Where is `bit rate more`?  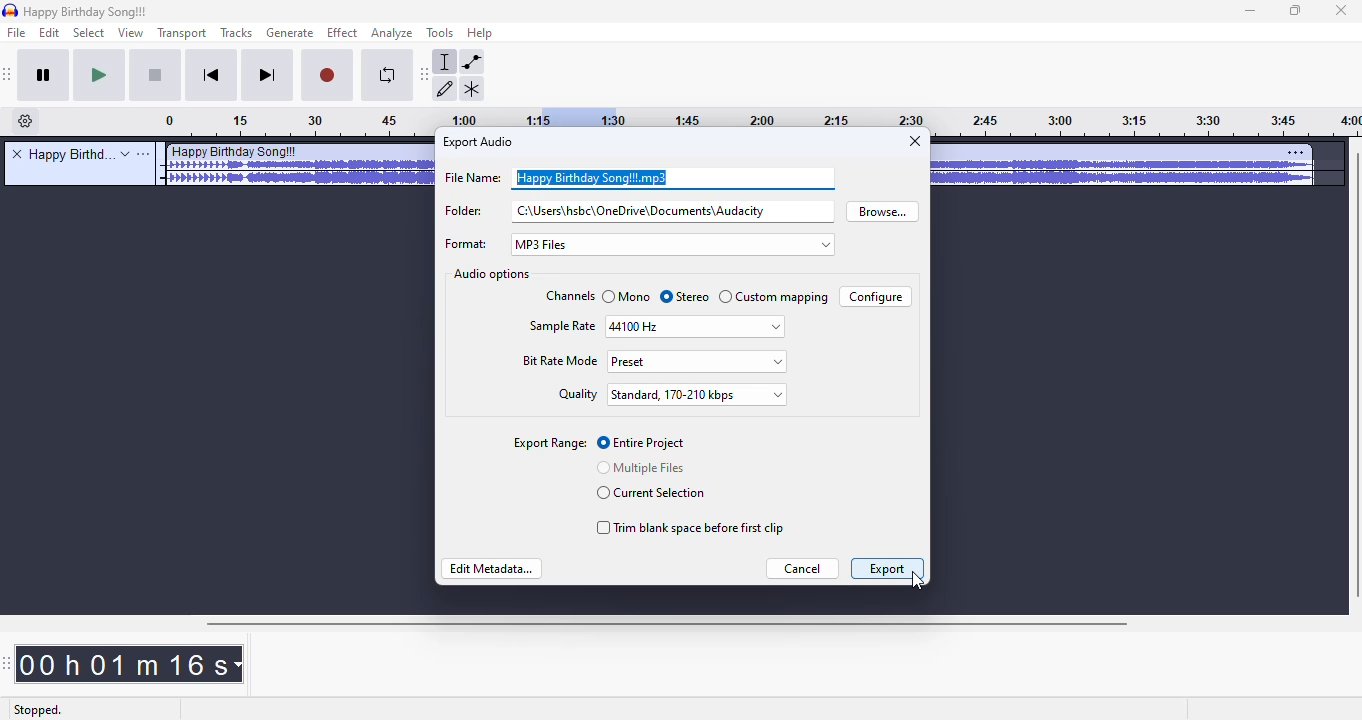 bit rate more is located at coordinates (561, 361).